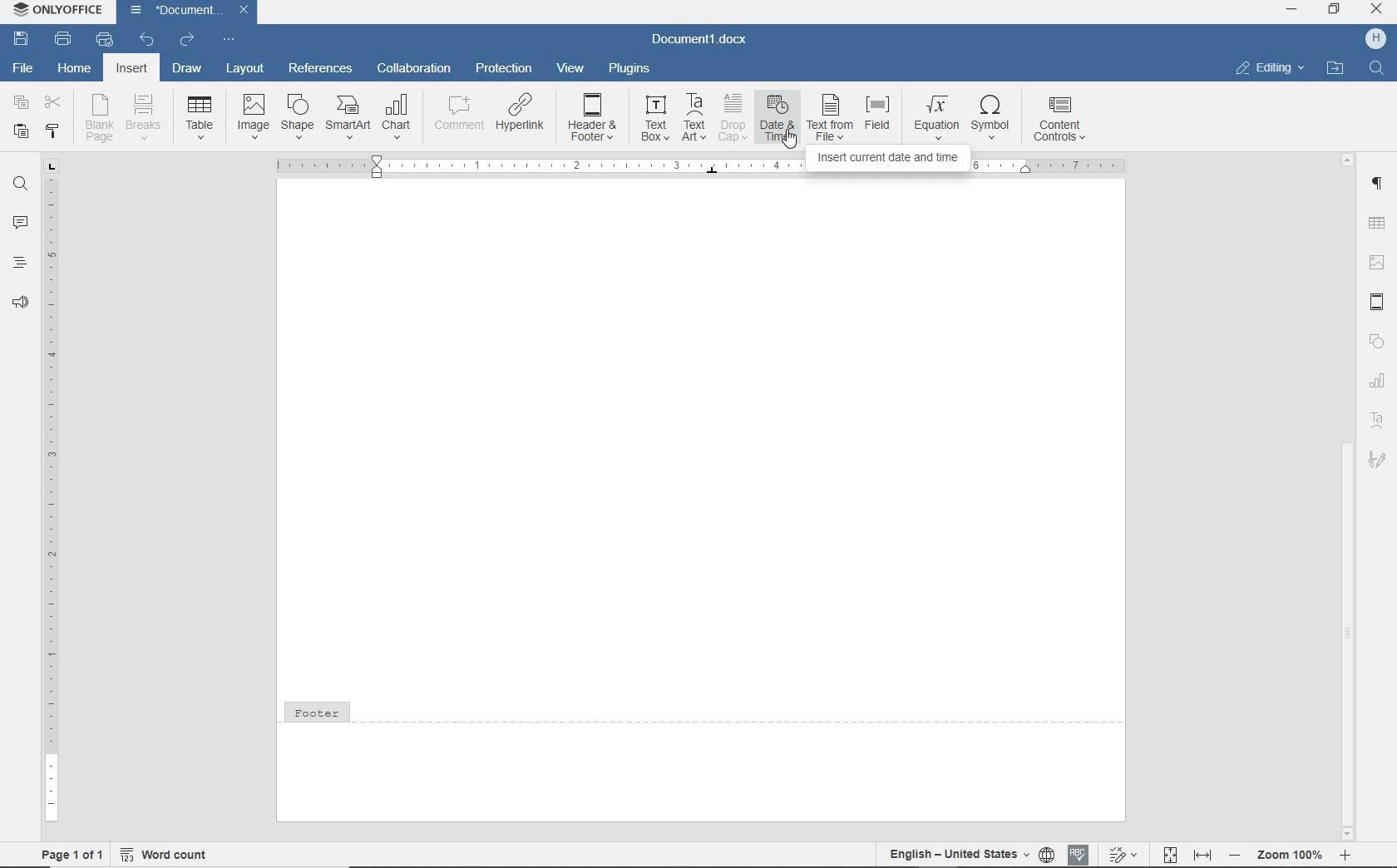 The image size is (1397, 868). Describe the element at coordinates (1377, 302) in the screenshot. I see `header & footer` at that location.